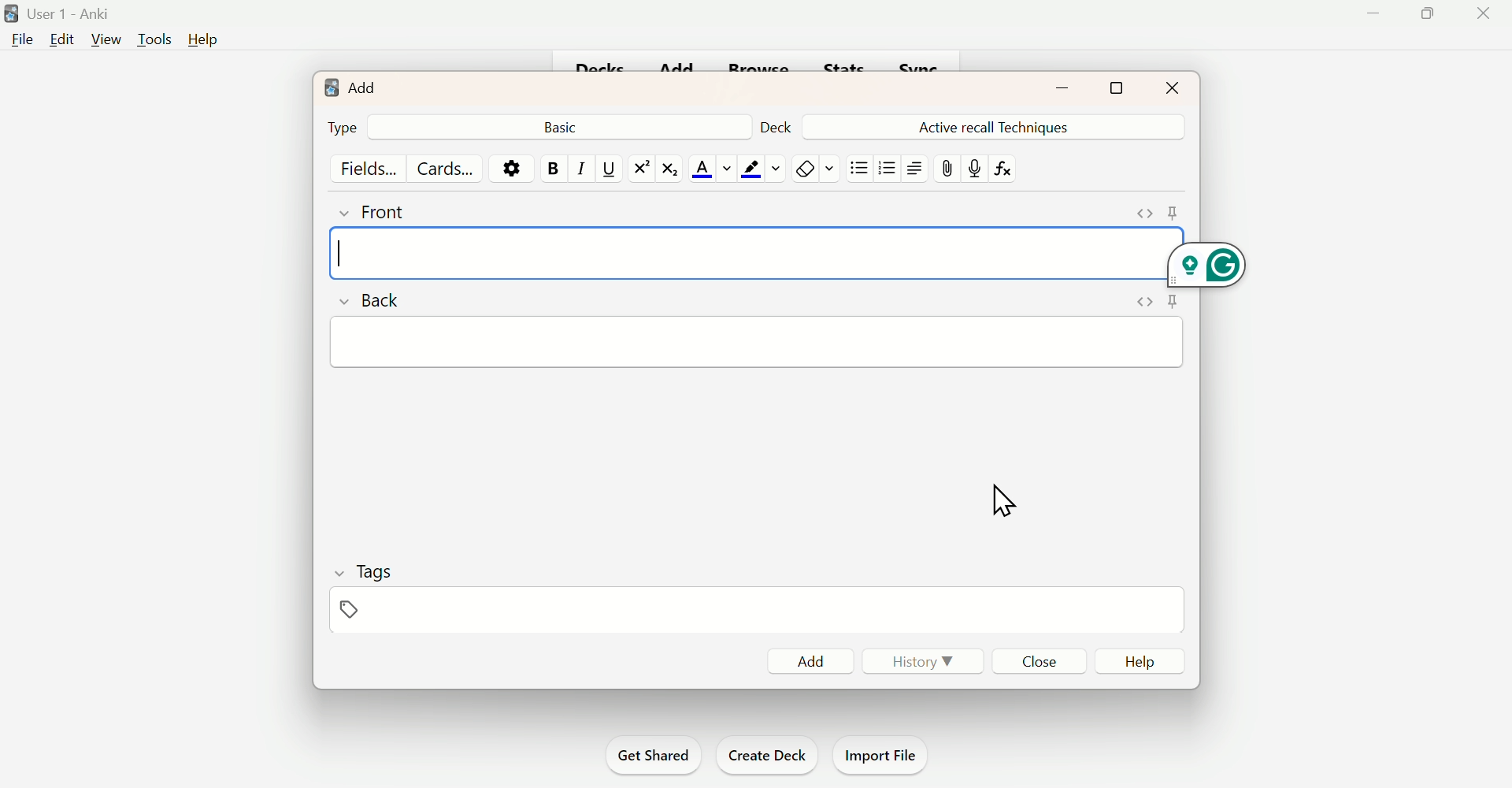 The image size is (1512, 788). Describe the element at coordinates (204, 41) in the screenshot. I see `Help` at that location.